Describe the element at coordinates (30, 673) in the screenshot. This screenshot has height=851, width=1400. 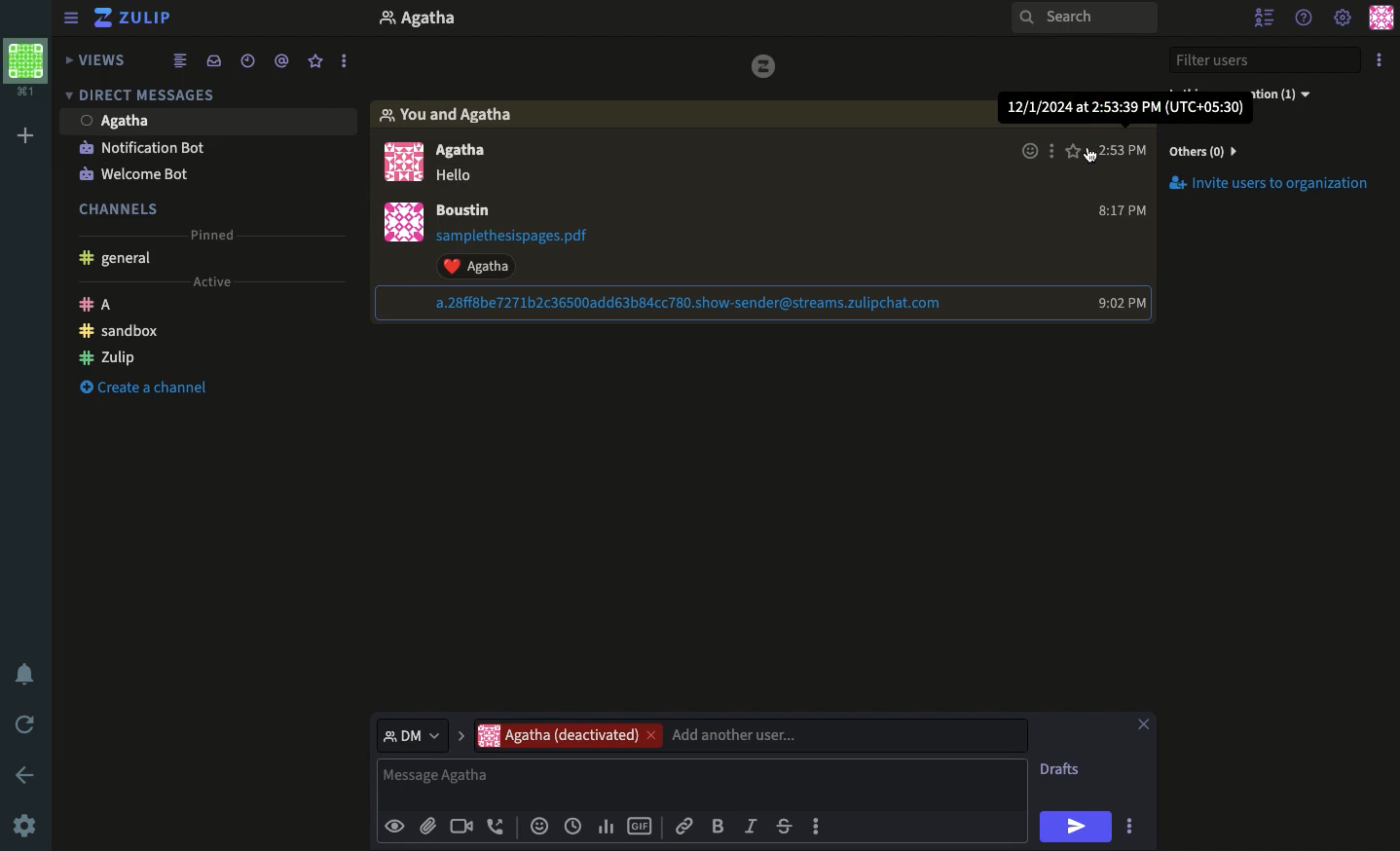
I see `Notification ` at that location.